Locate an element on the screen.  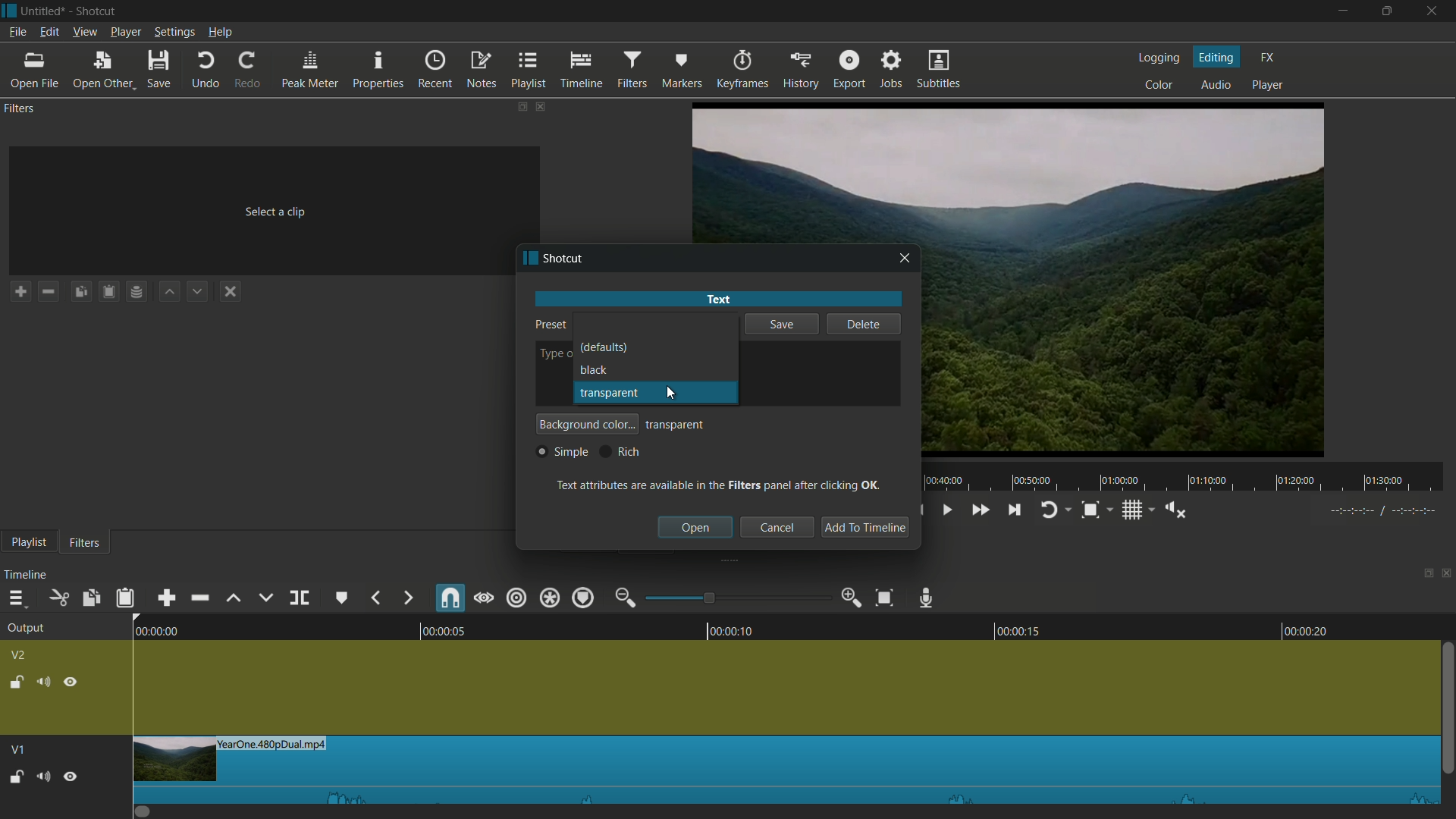
lock is located at coordinates (14, 680).